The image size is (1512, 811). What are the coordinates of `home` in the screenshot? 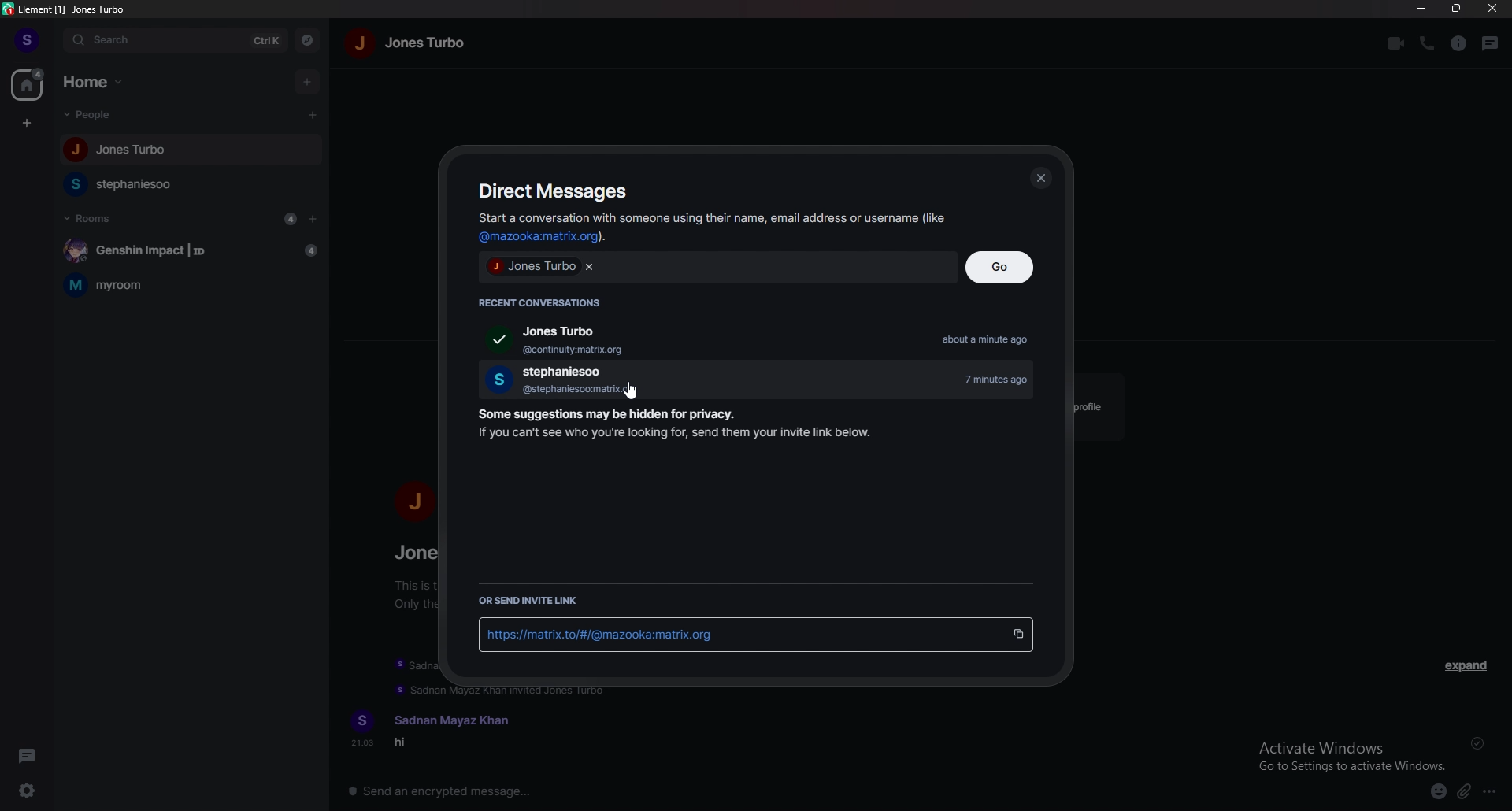 It's located at (28, 84).